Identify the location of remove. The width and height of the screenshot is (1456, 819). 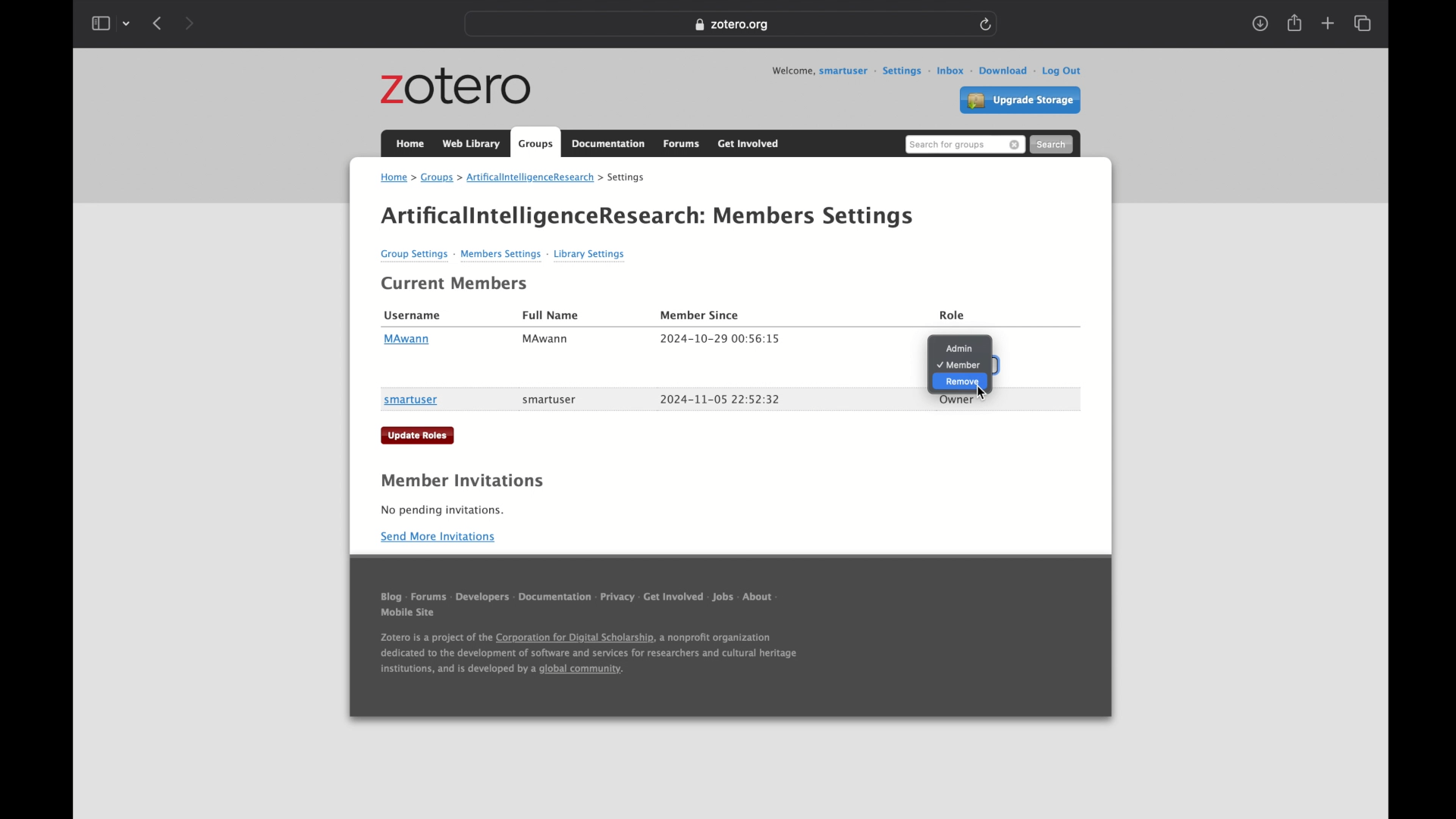
(959, 382).